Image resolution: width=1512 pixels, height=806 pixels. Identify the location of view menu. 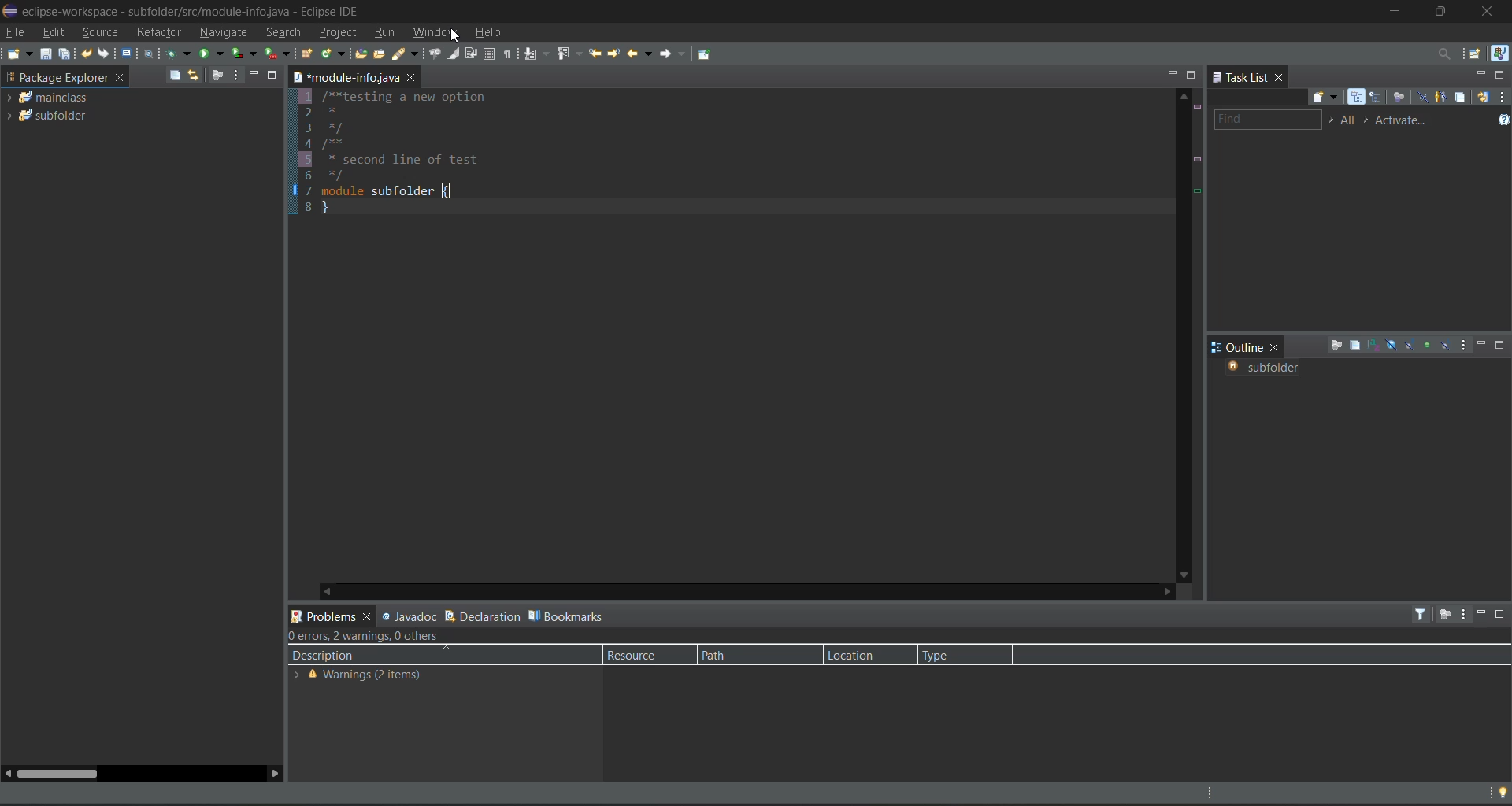
(1503, 99).